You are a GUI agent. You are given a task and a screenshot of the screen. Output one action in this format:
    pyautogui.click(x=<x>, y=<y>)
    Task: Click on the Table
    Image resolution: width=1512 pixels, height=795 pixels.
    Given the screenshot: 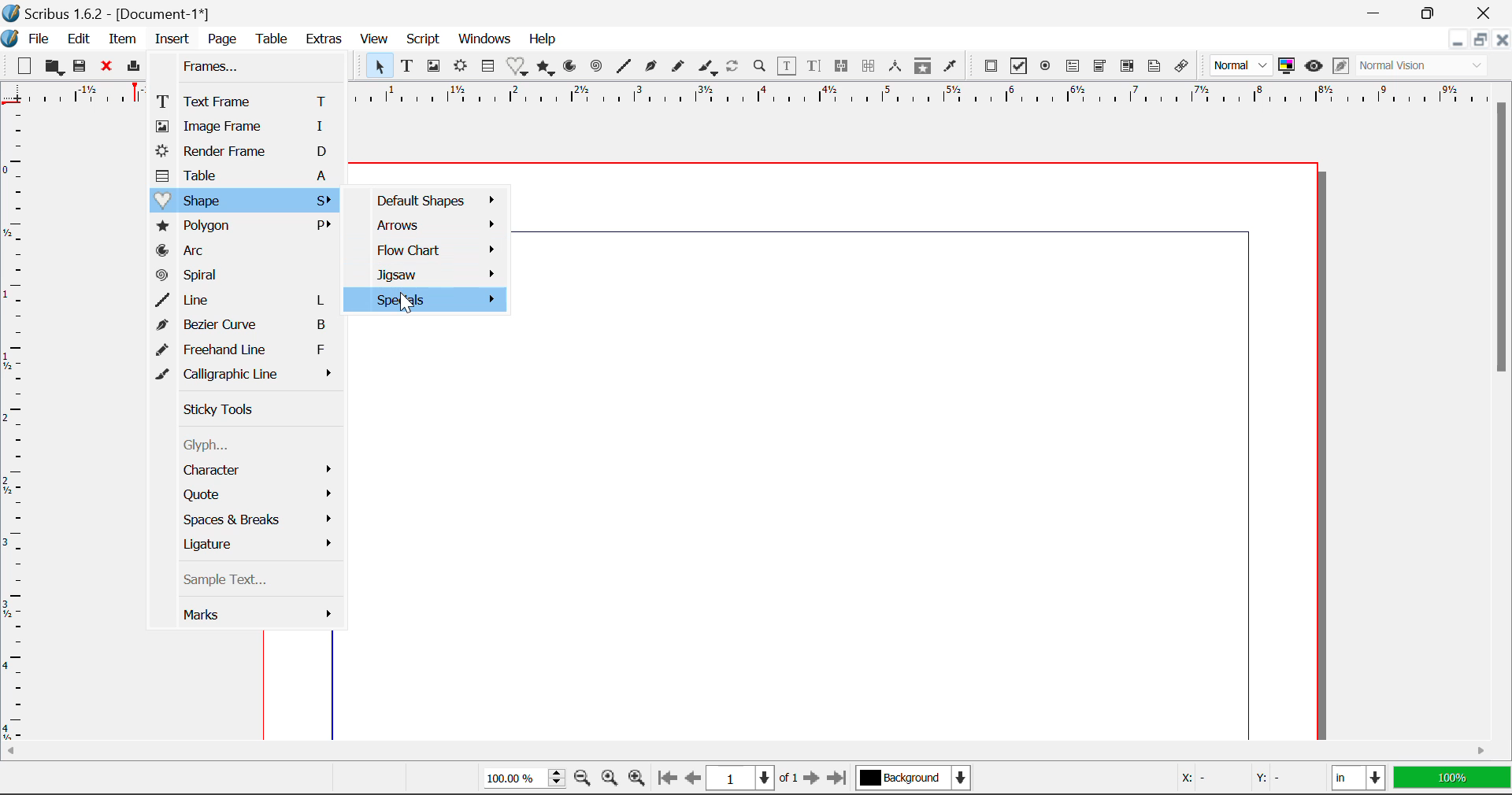 What is the action you would take?
    pyautogui.click(x=274, y=39)
    